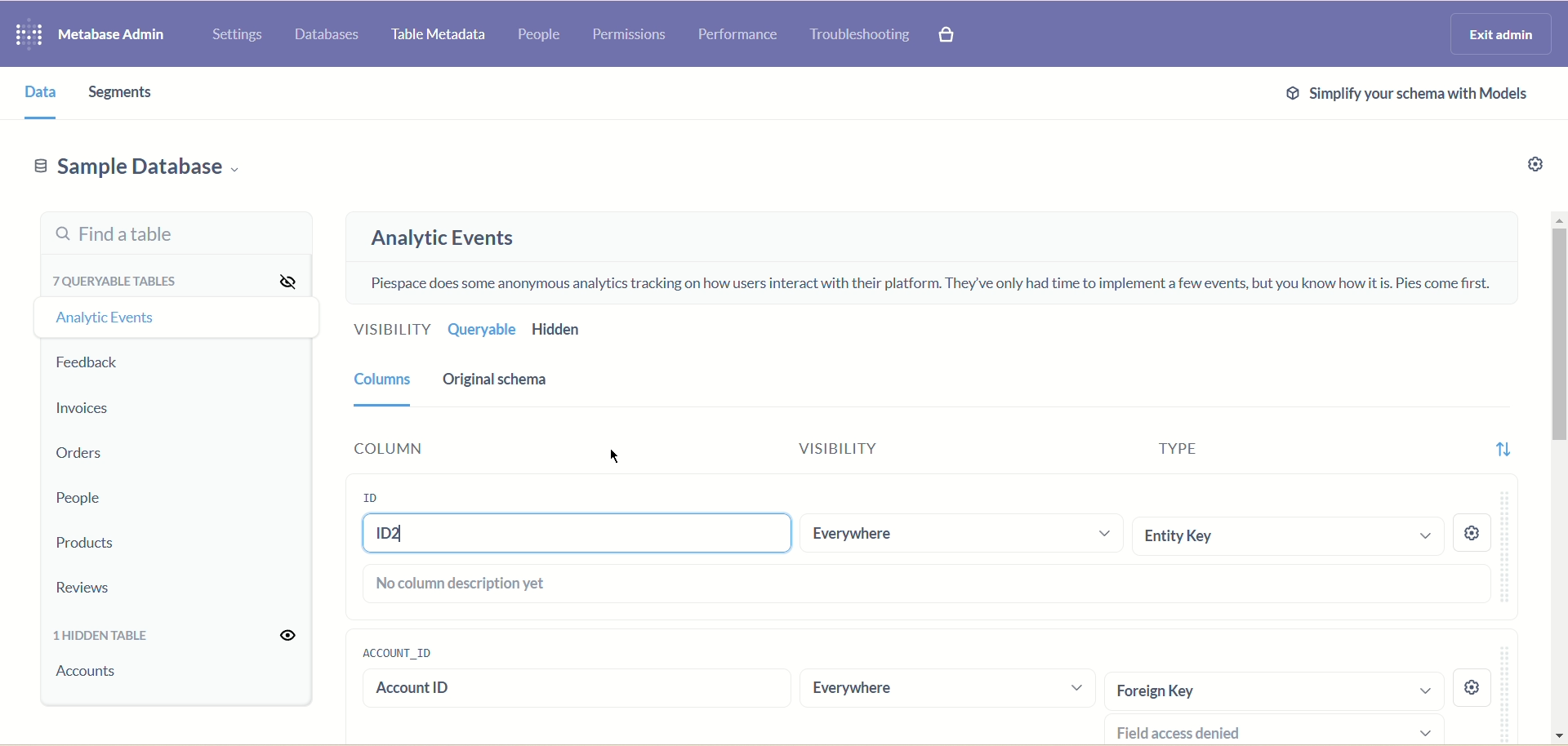  I want to click on Analytic events, so click(110, 323).